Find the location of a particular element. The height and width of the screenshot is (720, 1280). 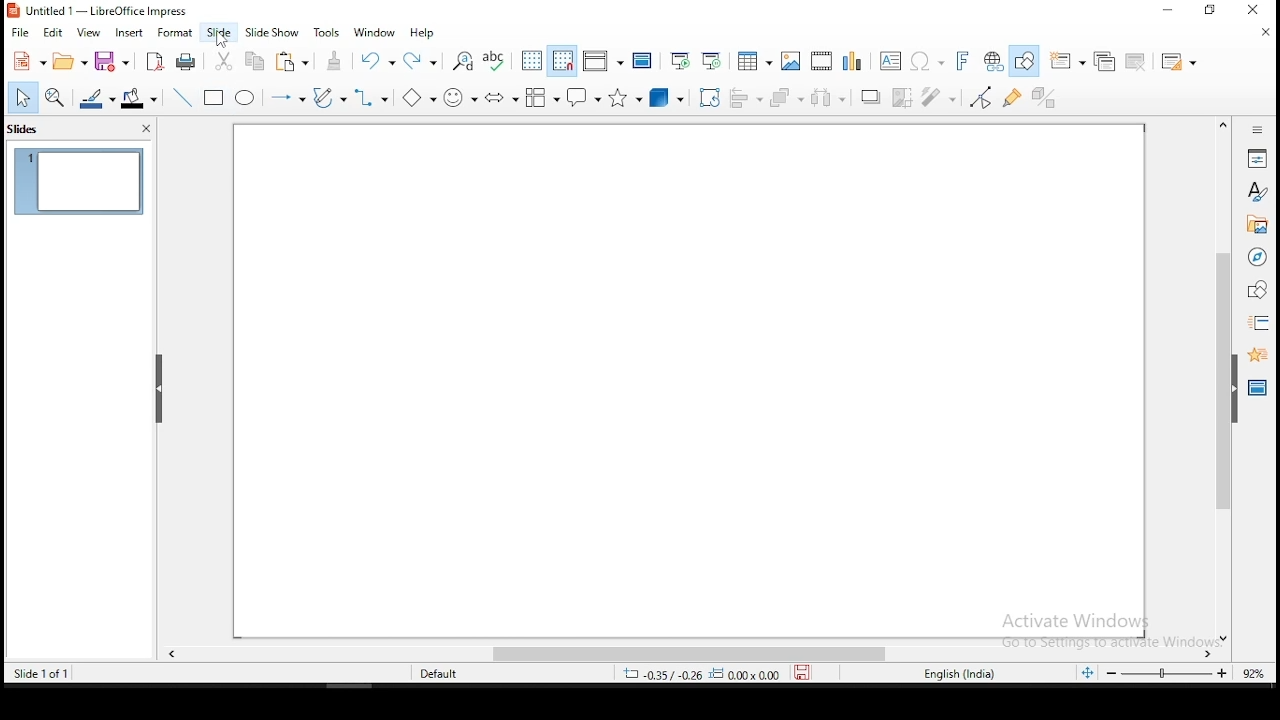

line is located at coordinates (183, 94).